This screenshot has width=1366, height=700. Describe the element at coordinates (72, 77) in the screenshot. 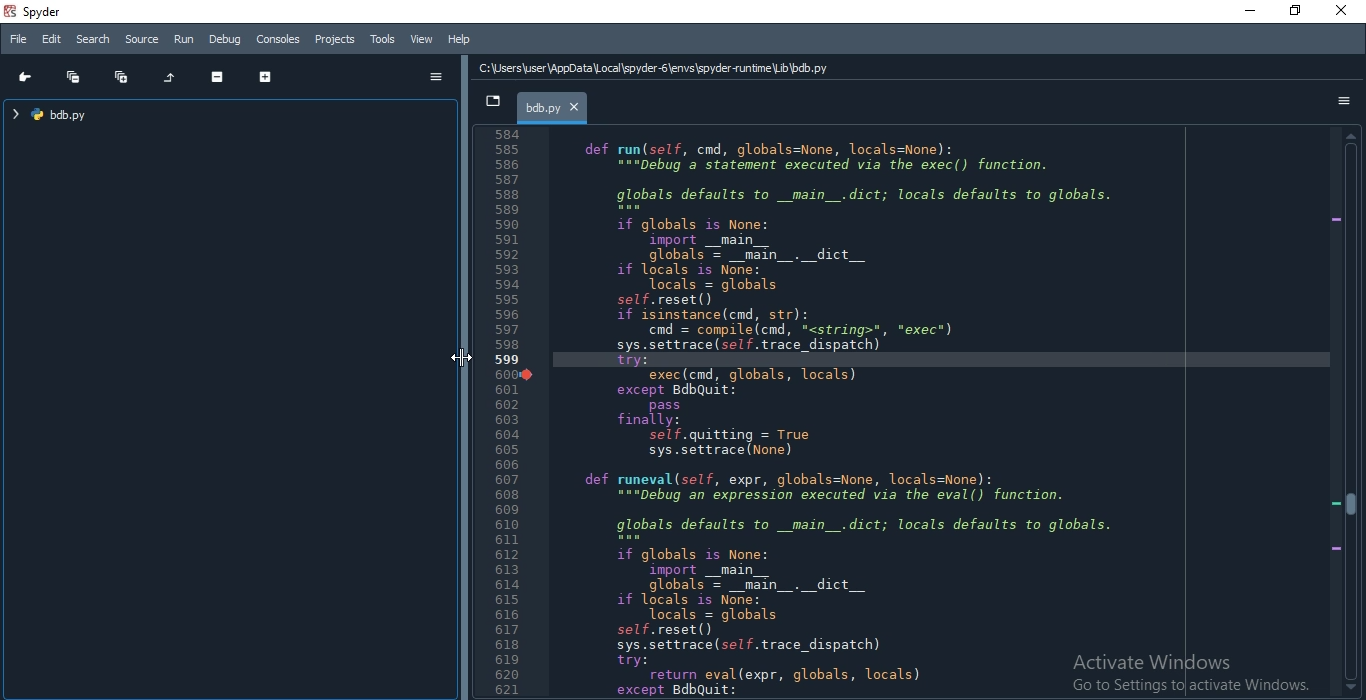

I see `Collapse all` at that location.